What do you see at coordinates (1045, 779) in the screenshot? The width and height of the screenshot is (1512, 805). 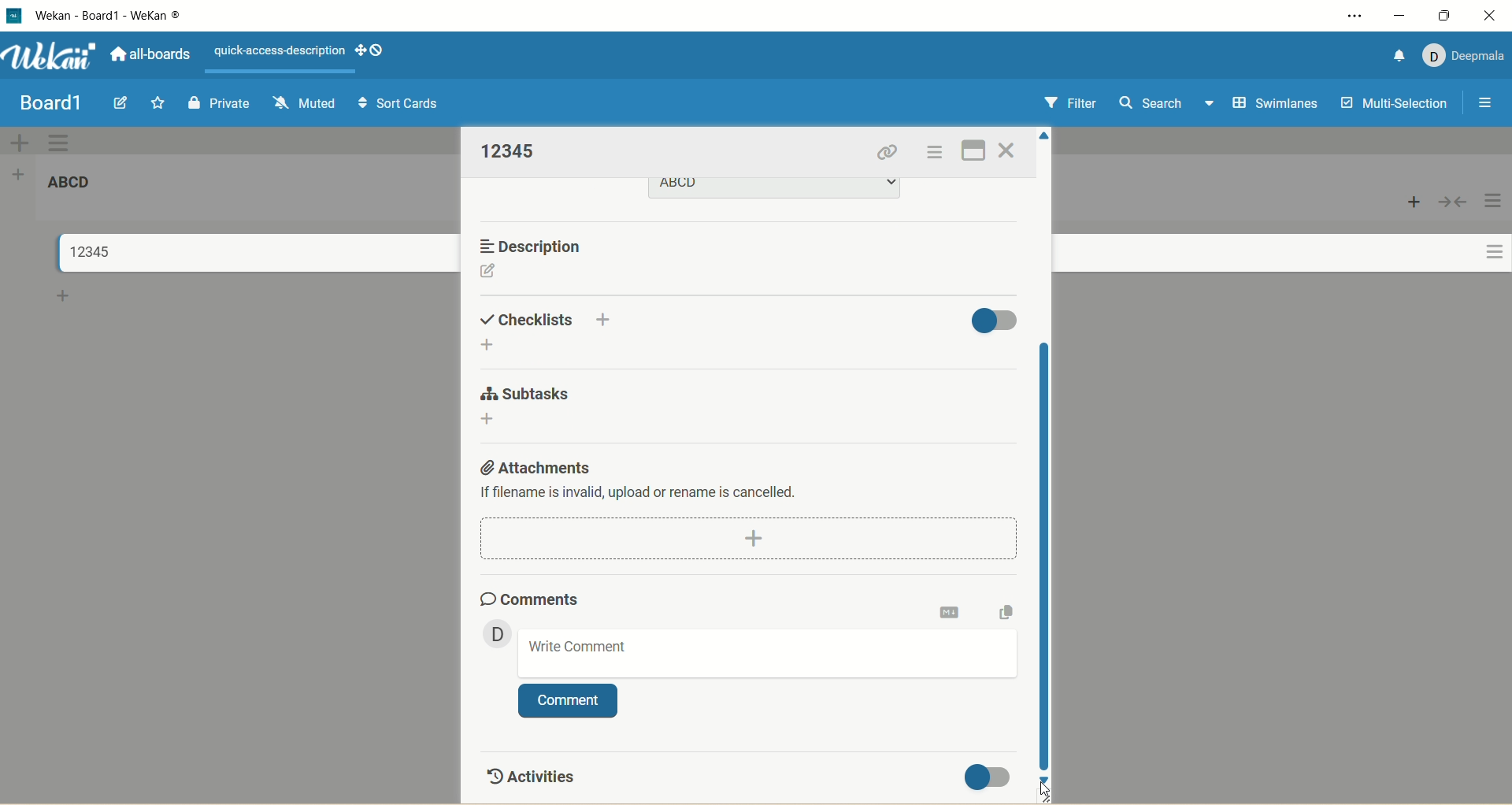 I see `click to scroll down` at bounding box center [1045, 779].